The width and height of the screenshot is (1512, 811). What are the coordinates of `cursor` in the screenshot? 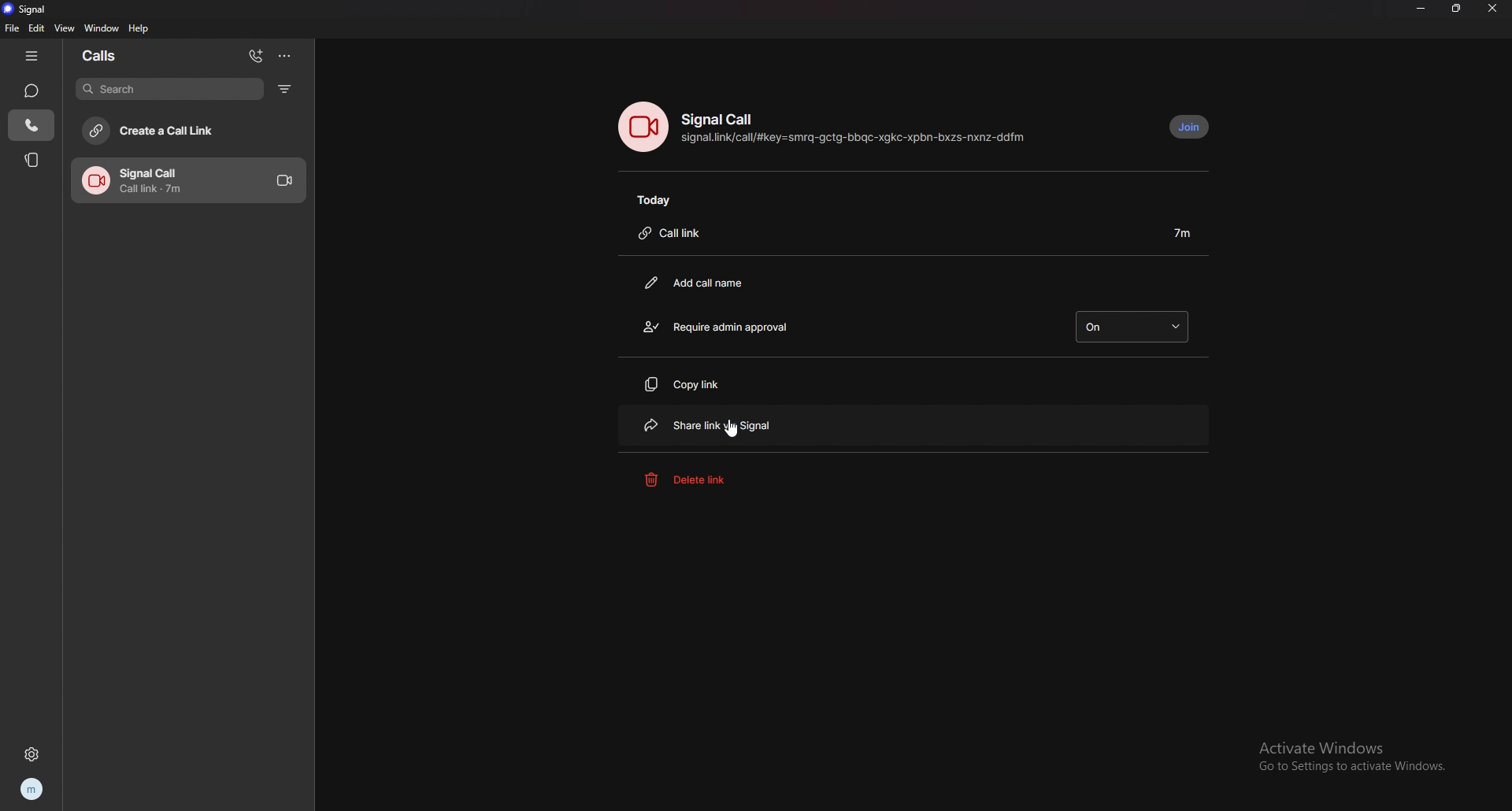 It's located at (732, 429).